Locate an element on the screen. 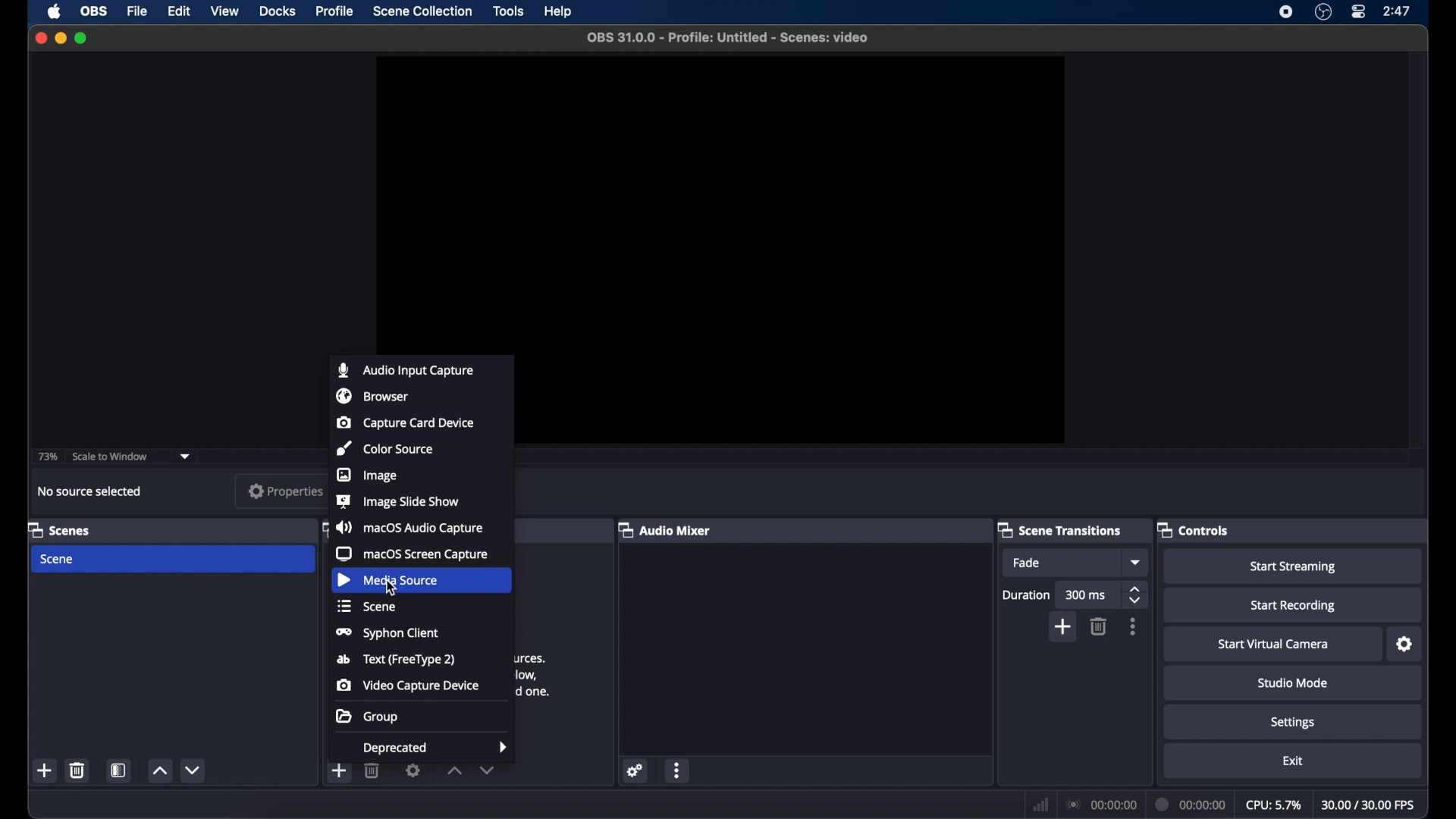 This screenshot has width=1456, height=819. Cursor is located at coordinates (395, 591).